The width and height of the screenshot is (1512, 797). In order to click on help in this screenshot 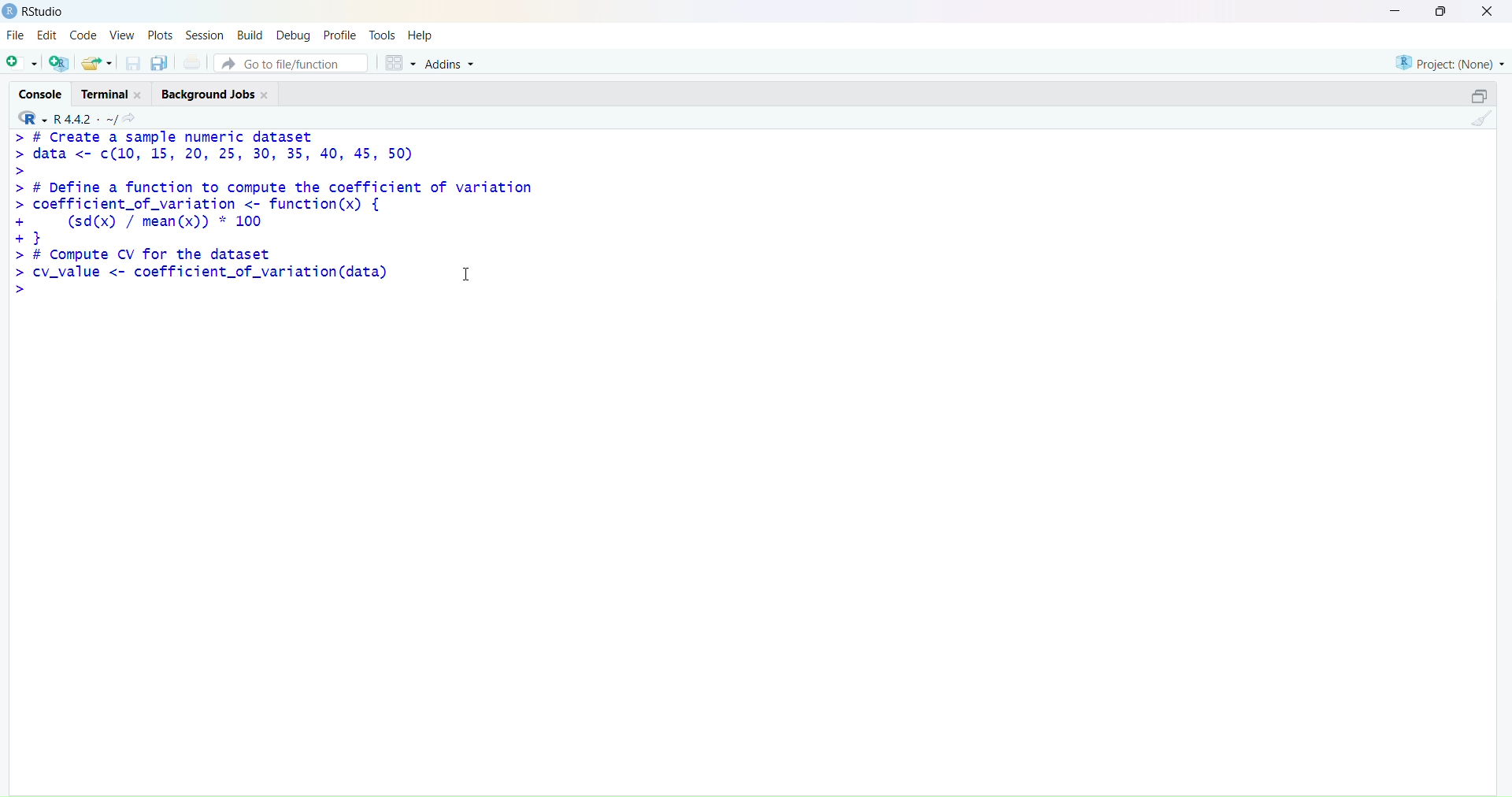, I will do `click(421, 36)`.